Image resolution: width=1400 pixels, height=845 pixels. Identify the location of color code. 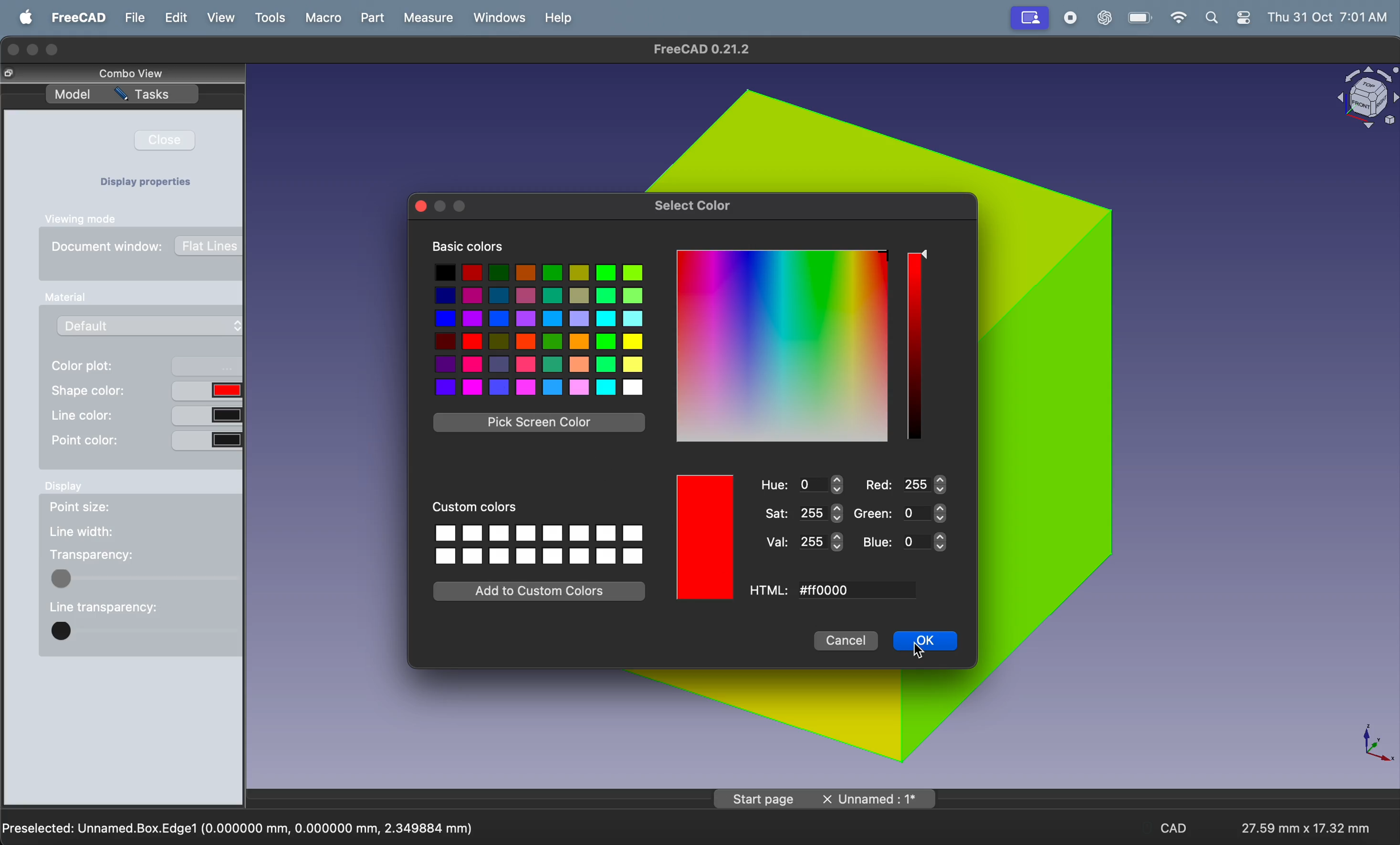
(869, 590).